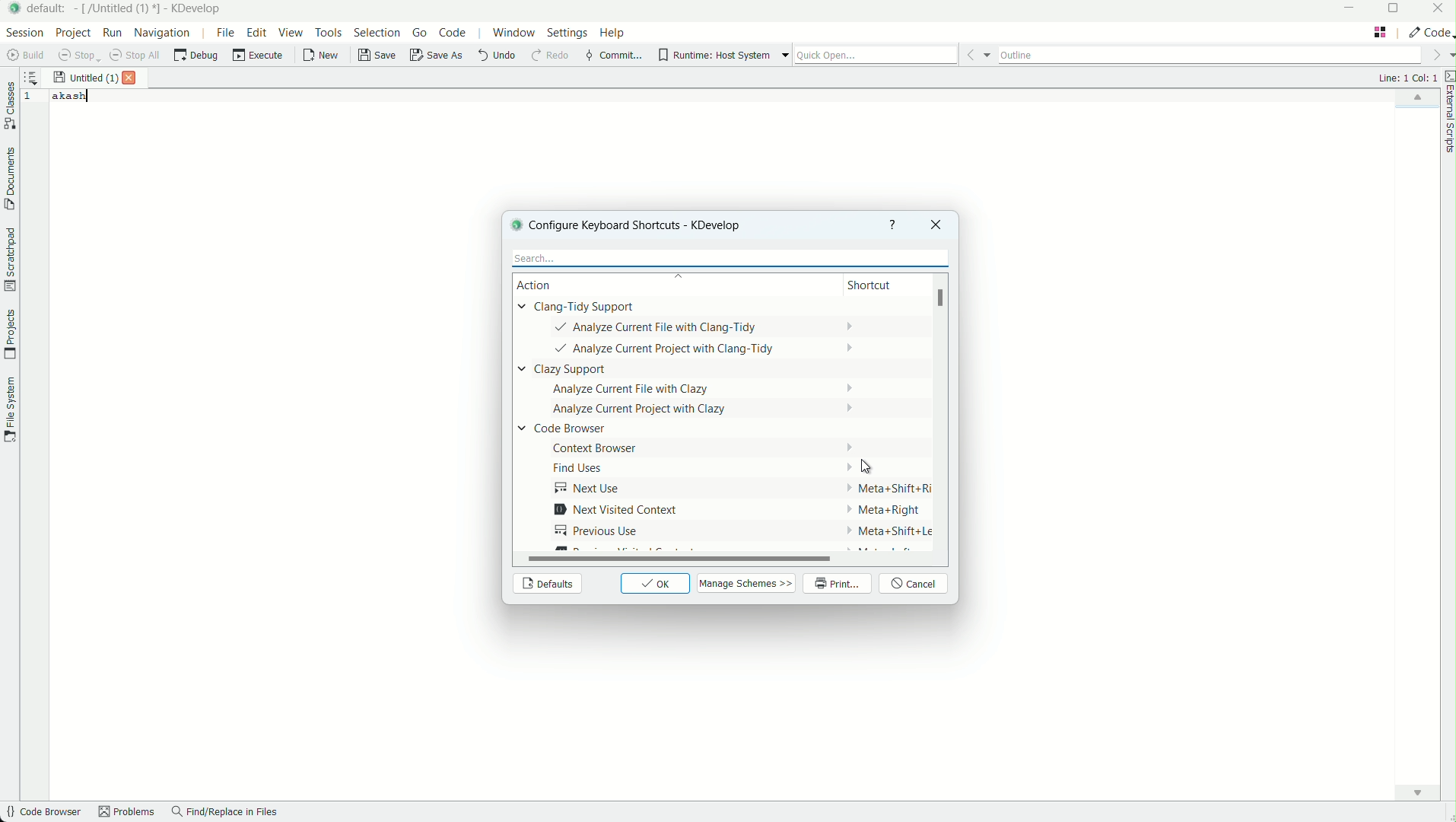  Describe the element at coordinates (322, 57) in the screenshot. I see `new` at that location.